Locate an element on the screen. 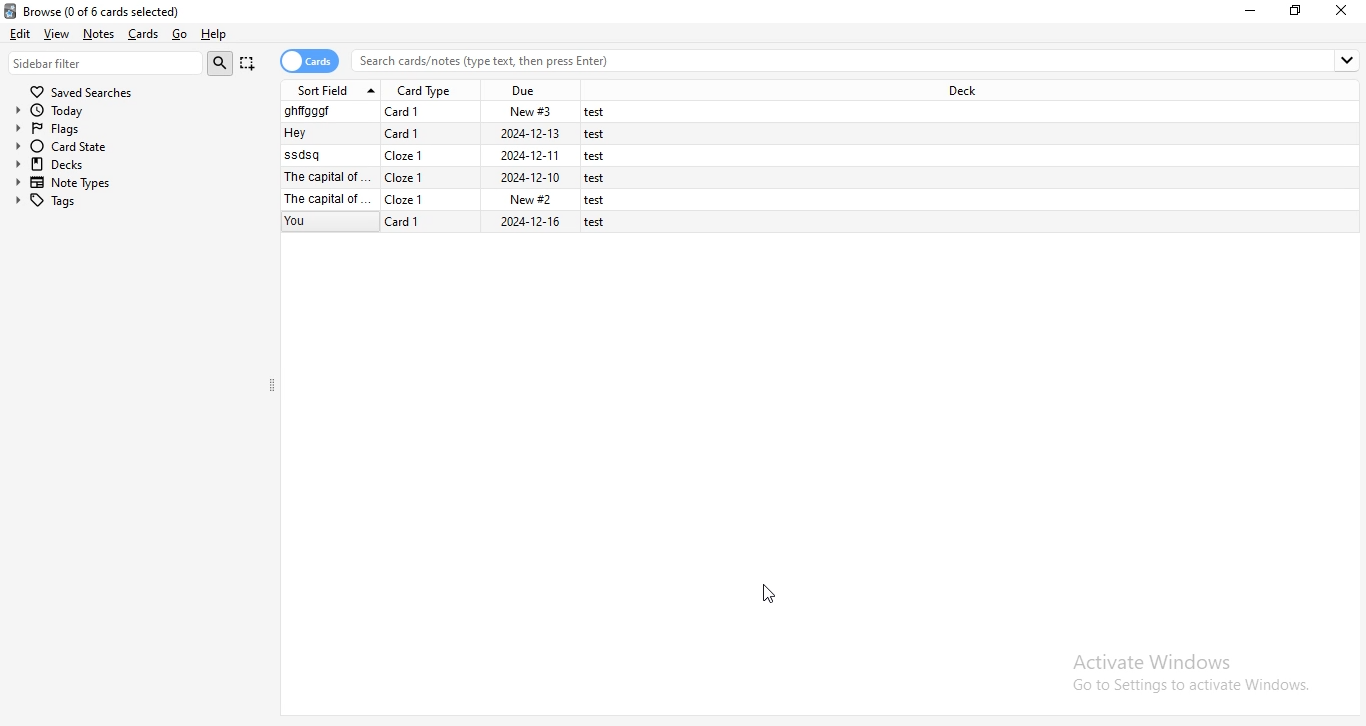  due is located at coordinates (530, 88).